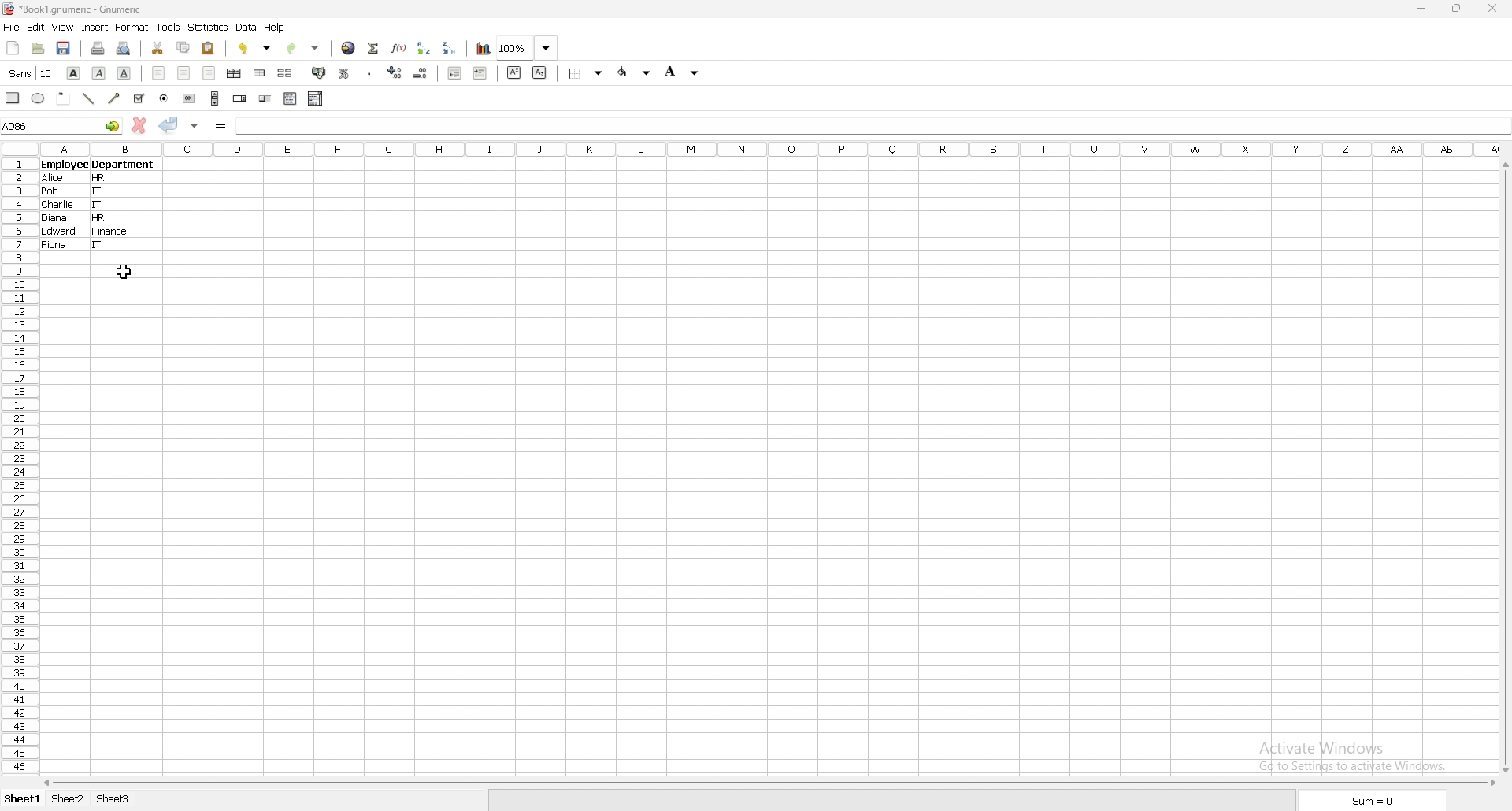 This screenshot has height=811, width=1512. What do you see at coordinates (209, 28) in the screenshot?
I see `statistics` at bounding box center [209, 28].